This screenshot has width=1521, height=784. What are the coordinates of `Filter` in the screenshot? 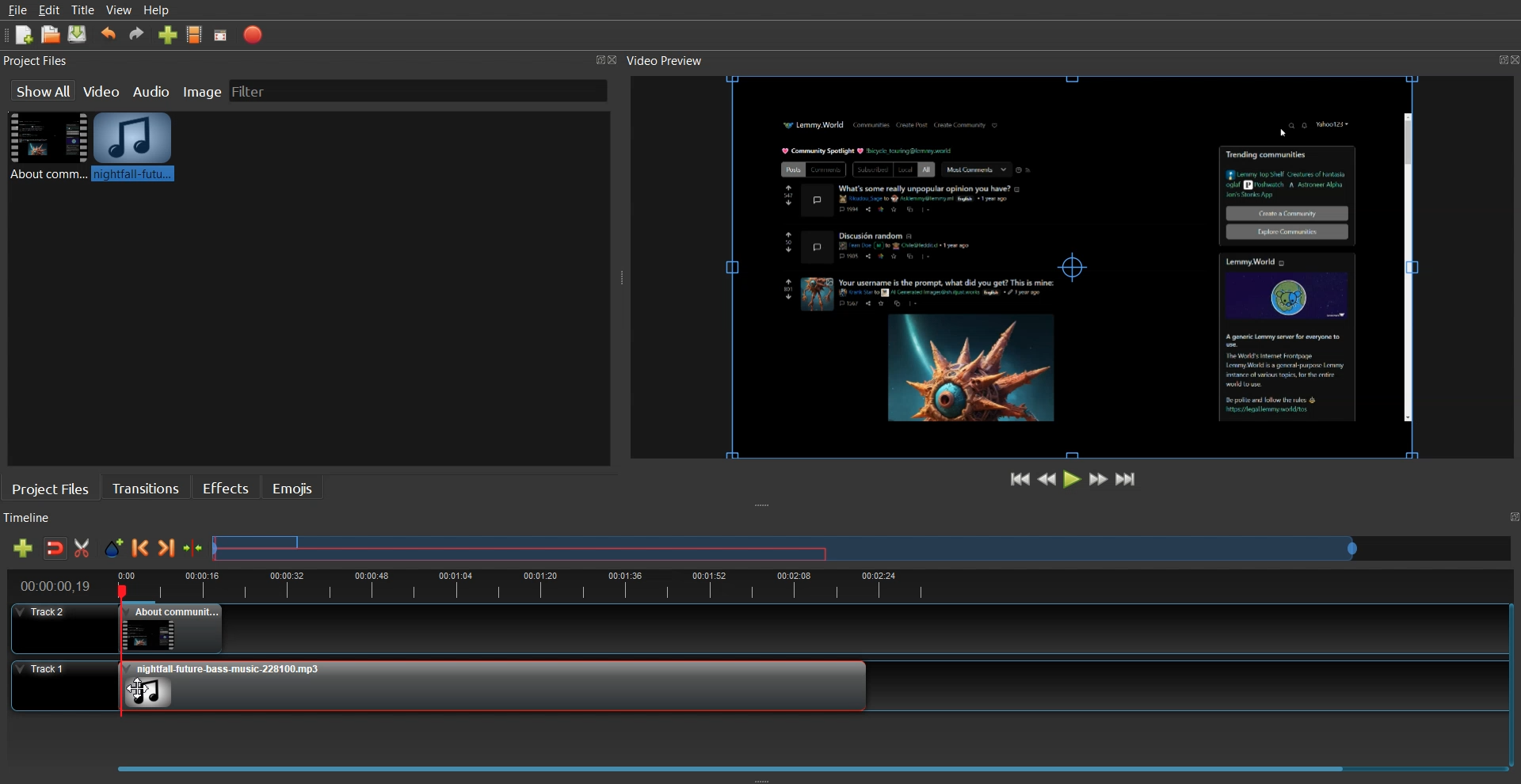 It's located at (262, 90).